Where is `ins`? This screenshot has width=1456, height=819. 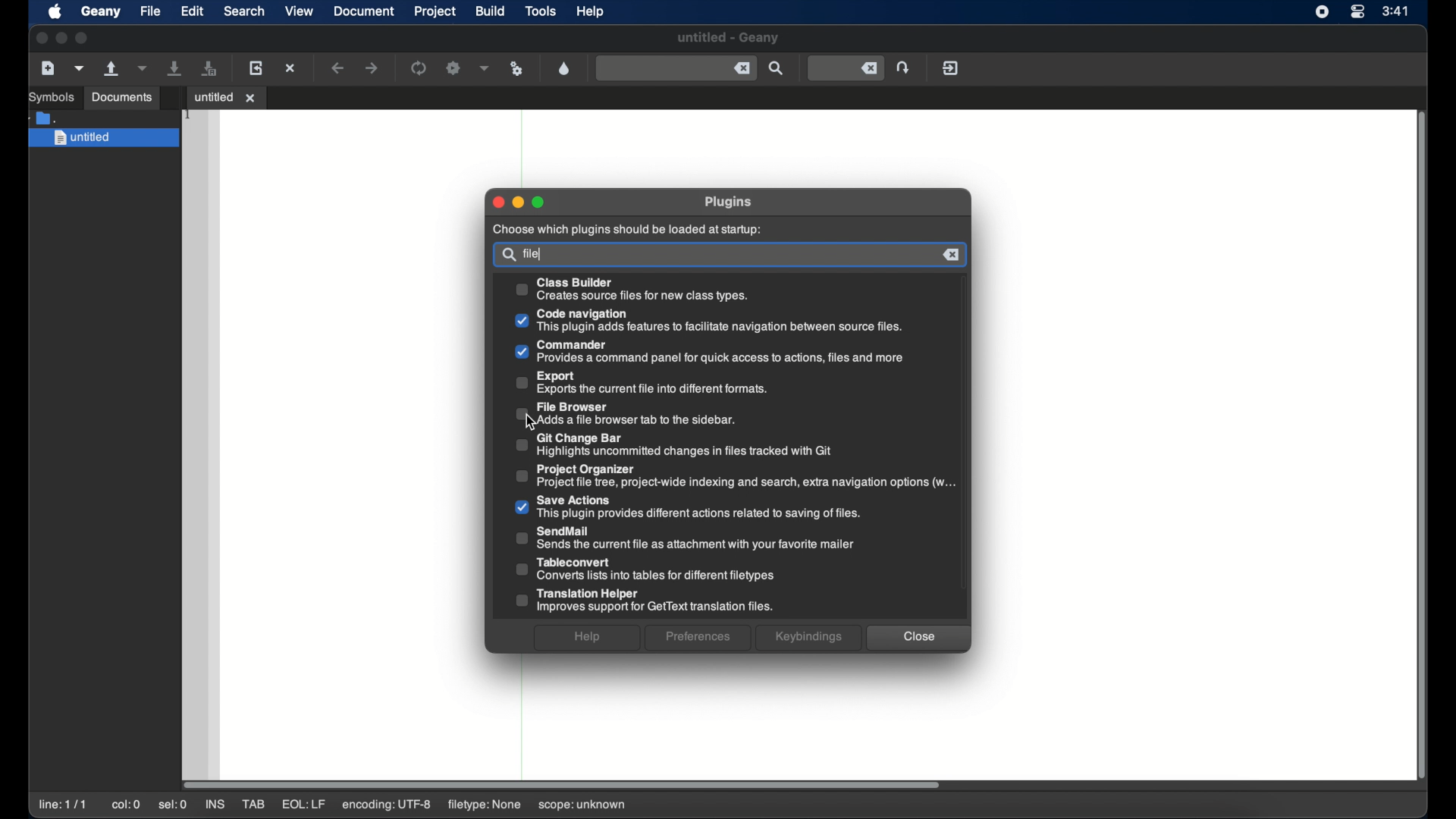
ins is located at coordinates (217, 805).